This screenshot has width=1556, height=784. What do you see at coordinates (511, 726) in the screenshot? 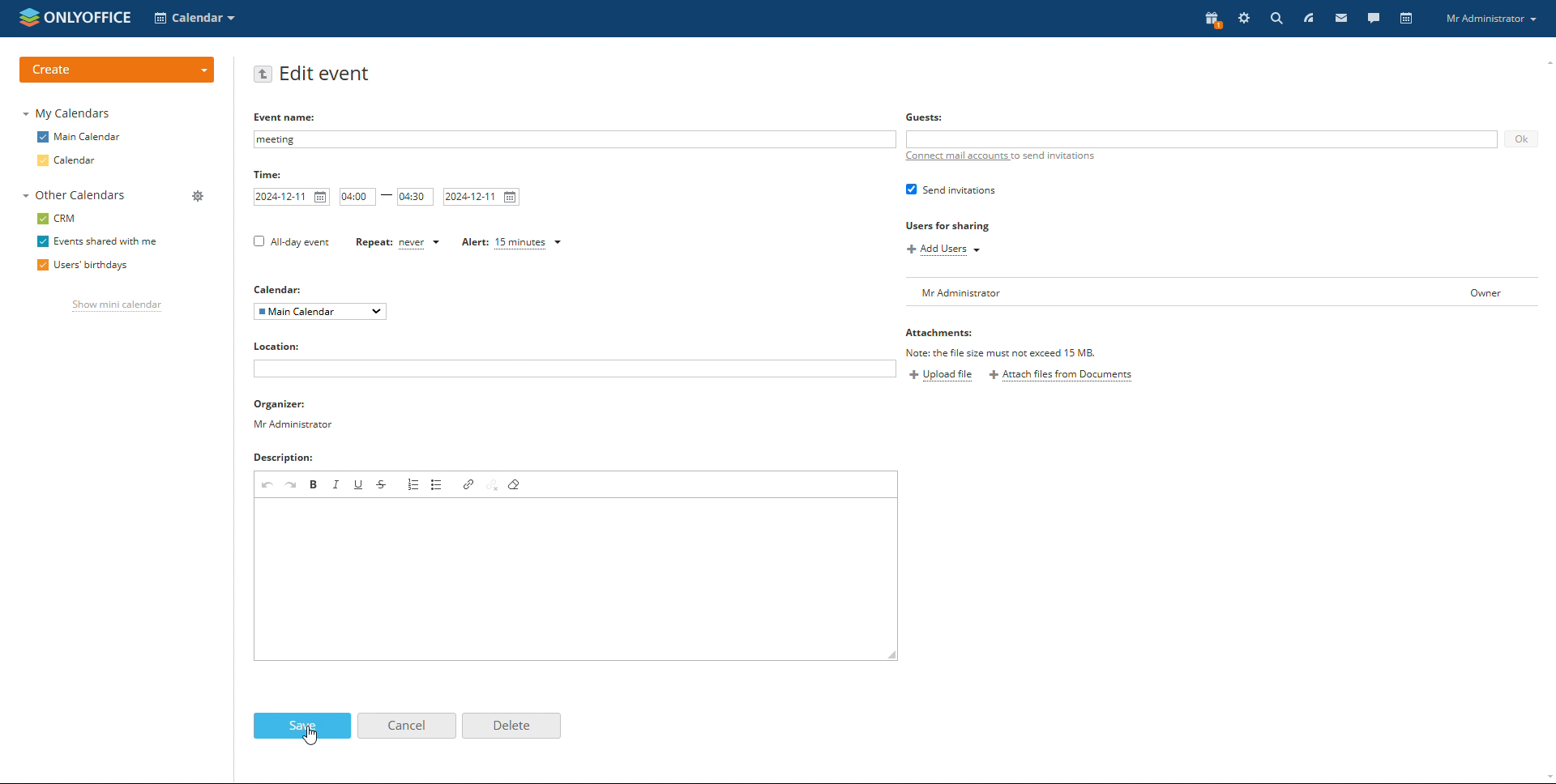
I see `delete` at bounding box center [511, 726].